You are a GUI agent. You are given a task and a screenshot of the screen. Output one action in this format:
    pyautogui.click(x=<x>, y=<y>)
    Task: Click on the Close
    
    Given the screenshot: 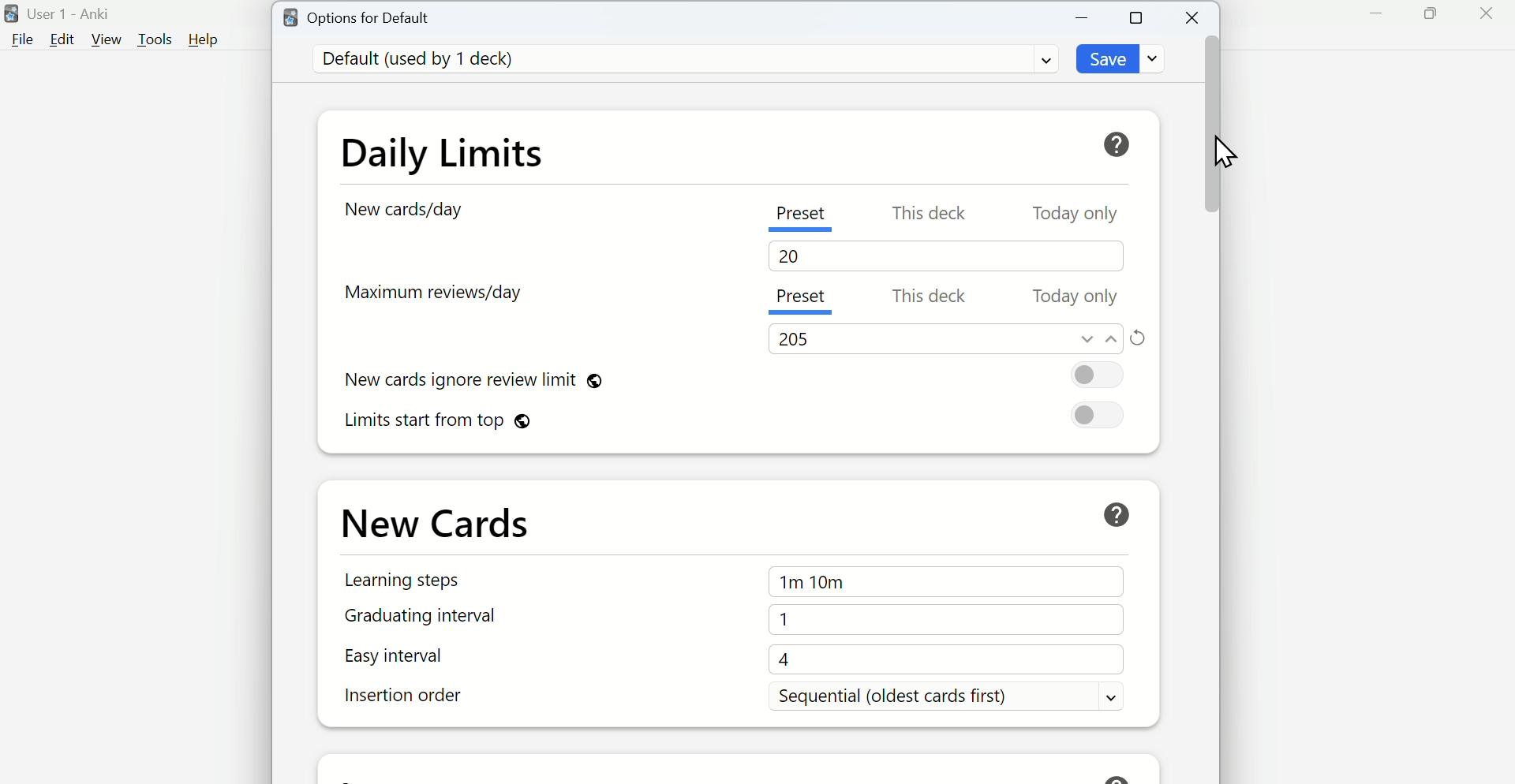 What is the action you would take?
    pyautogui.click(x=1486, y=14)
    